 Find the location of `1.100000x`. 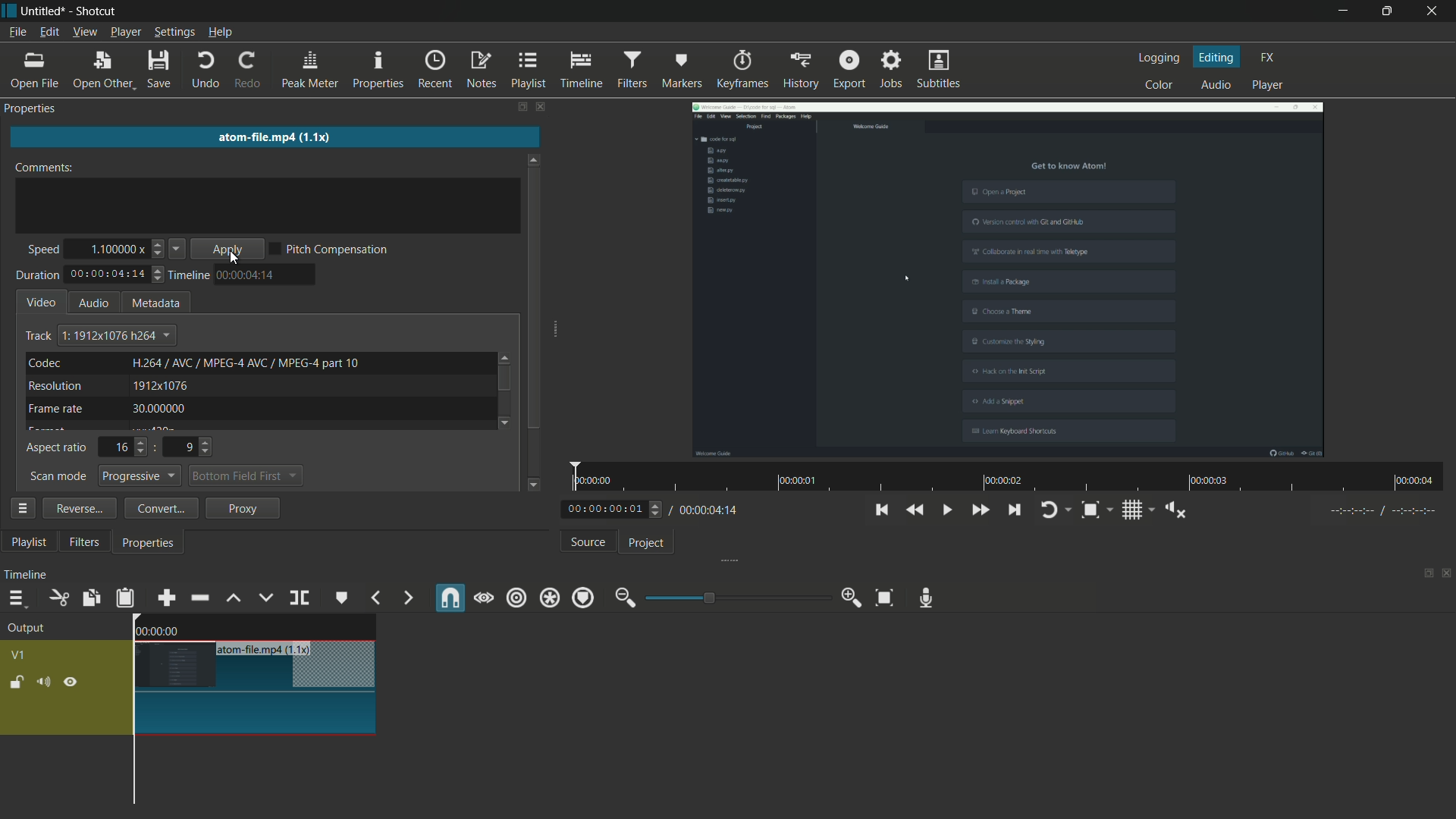

1.100000x is located at coordinates (116, 248).